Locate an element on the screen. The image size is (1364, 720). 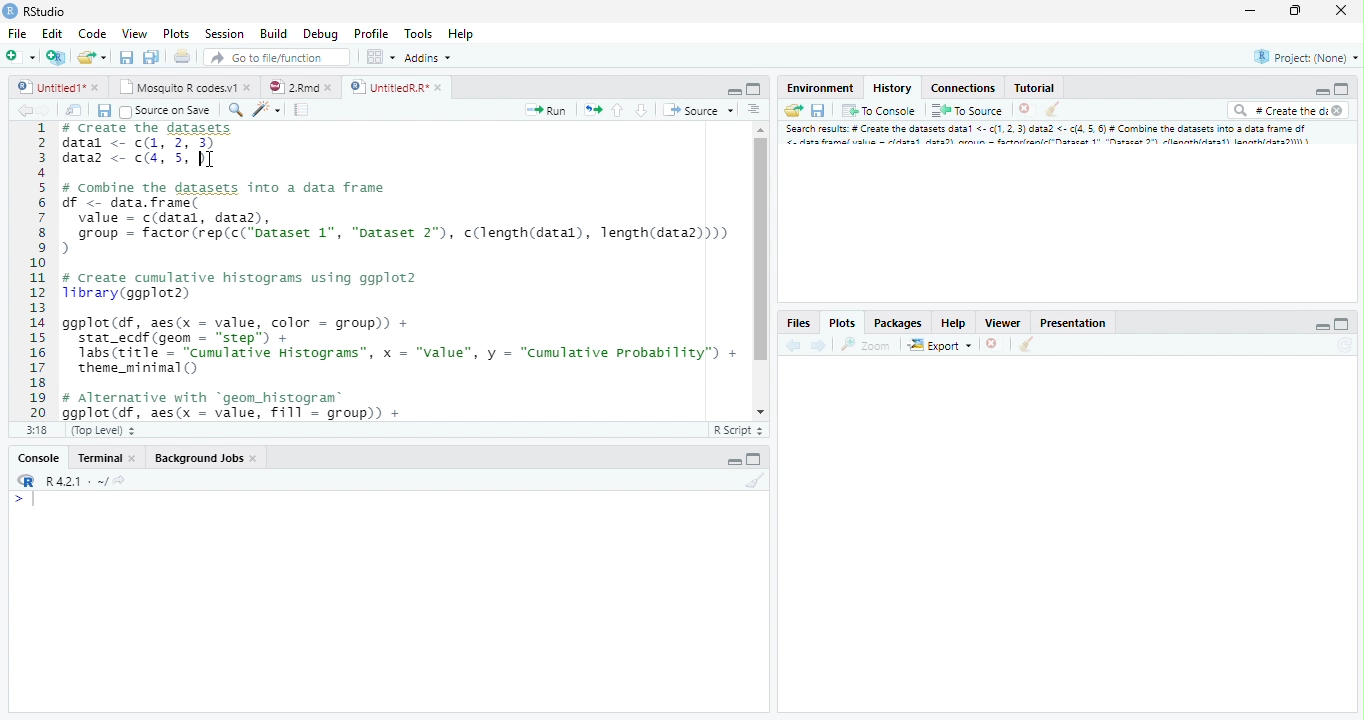
Untitled is located at coordinates (61, 85).